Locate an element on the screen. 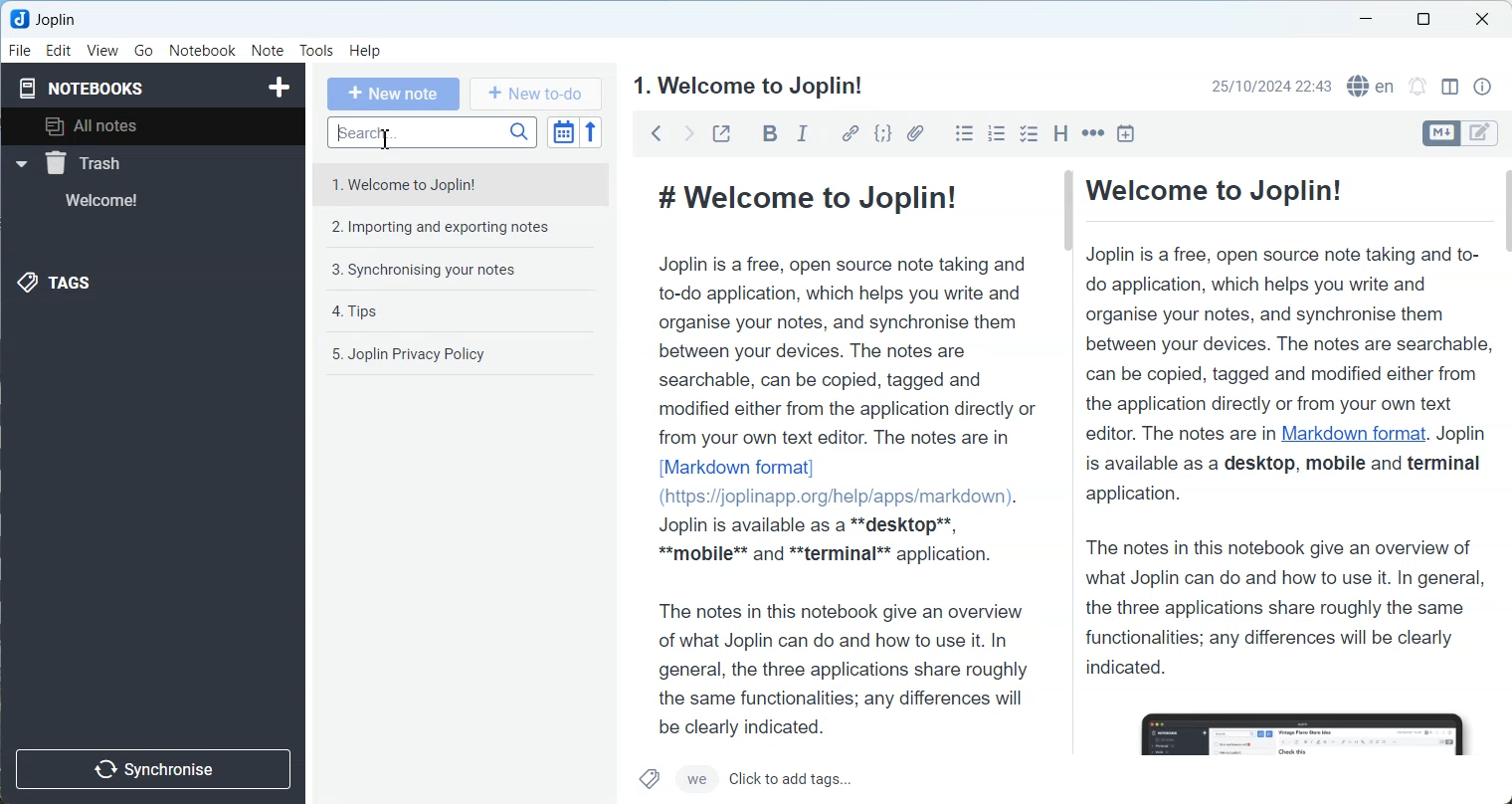  Code is located at coordinates (882, 133).